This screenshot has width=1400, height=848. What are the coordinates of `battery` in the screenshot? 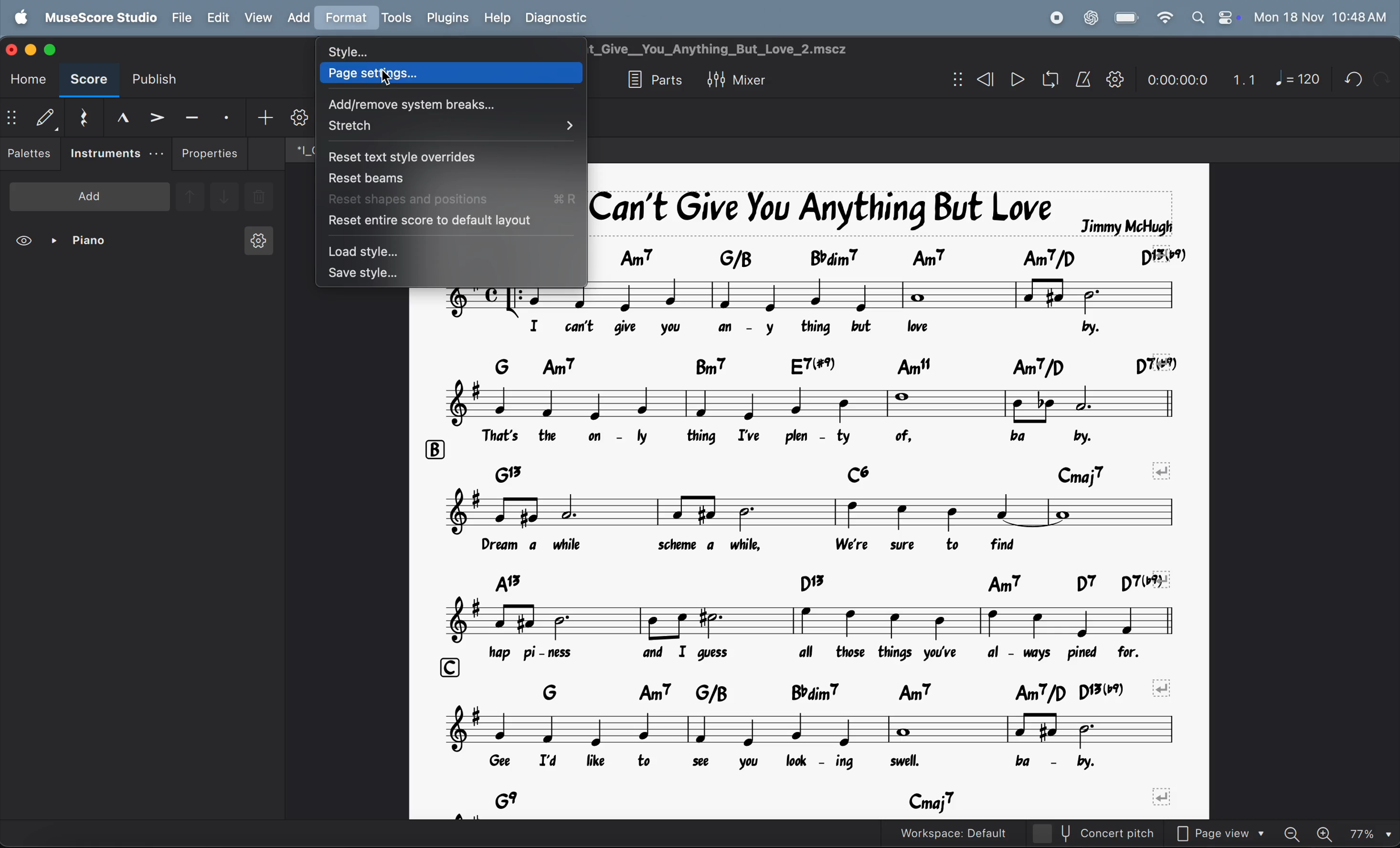 It's located at (1127, 18).